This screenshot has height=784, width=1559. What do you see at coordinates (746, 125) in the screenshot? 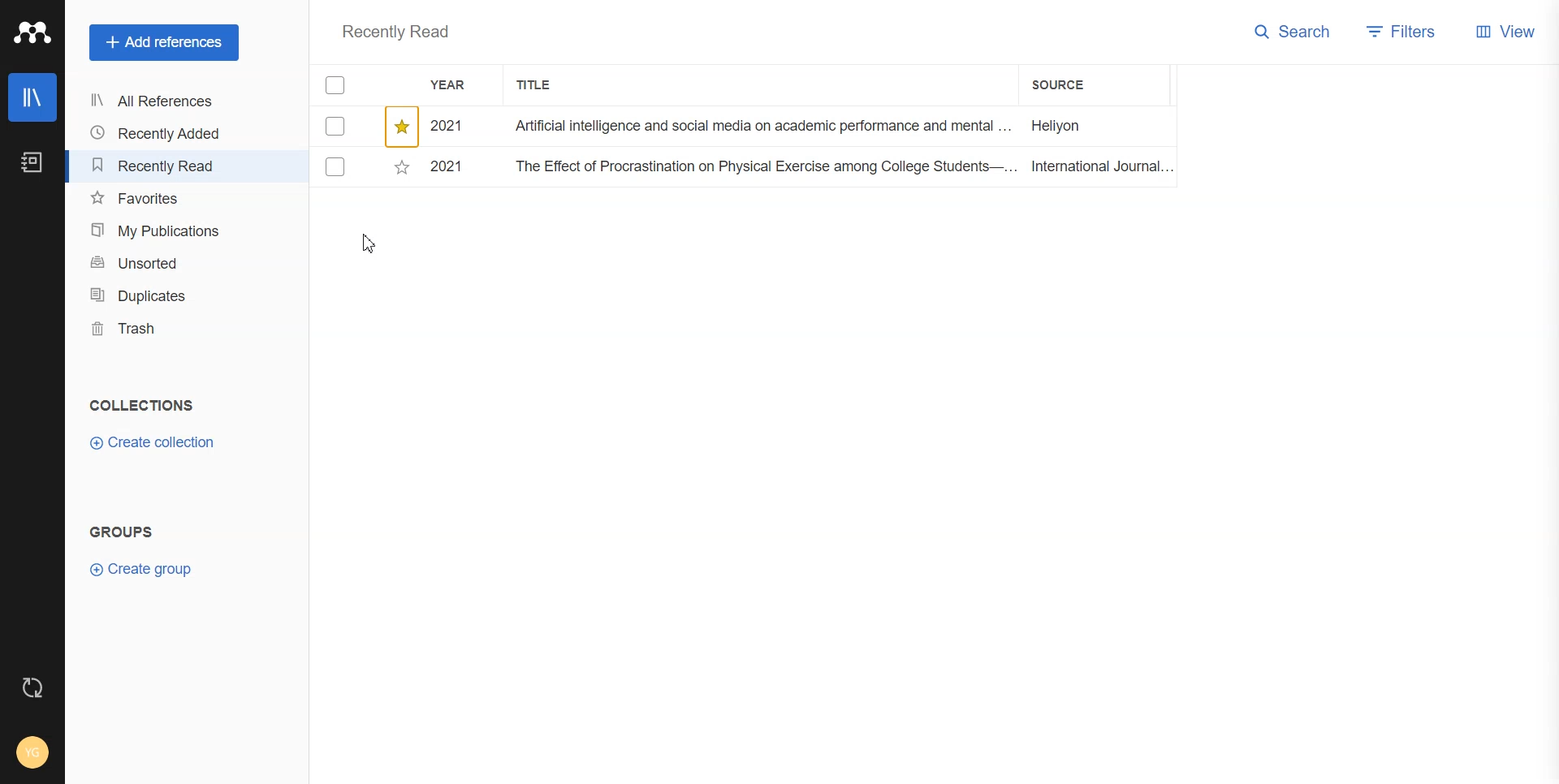
I see `Starred file` at bounding box center [746, 125].